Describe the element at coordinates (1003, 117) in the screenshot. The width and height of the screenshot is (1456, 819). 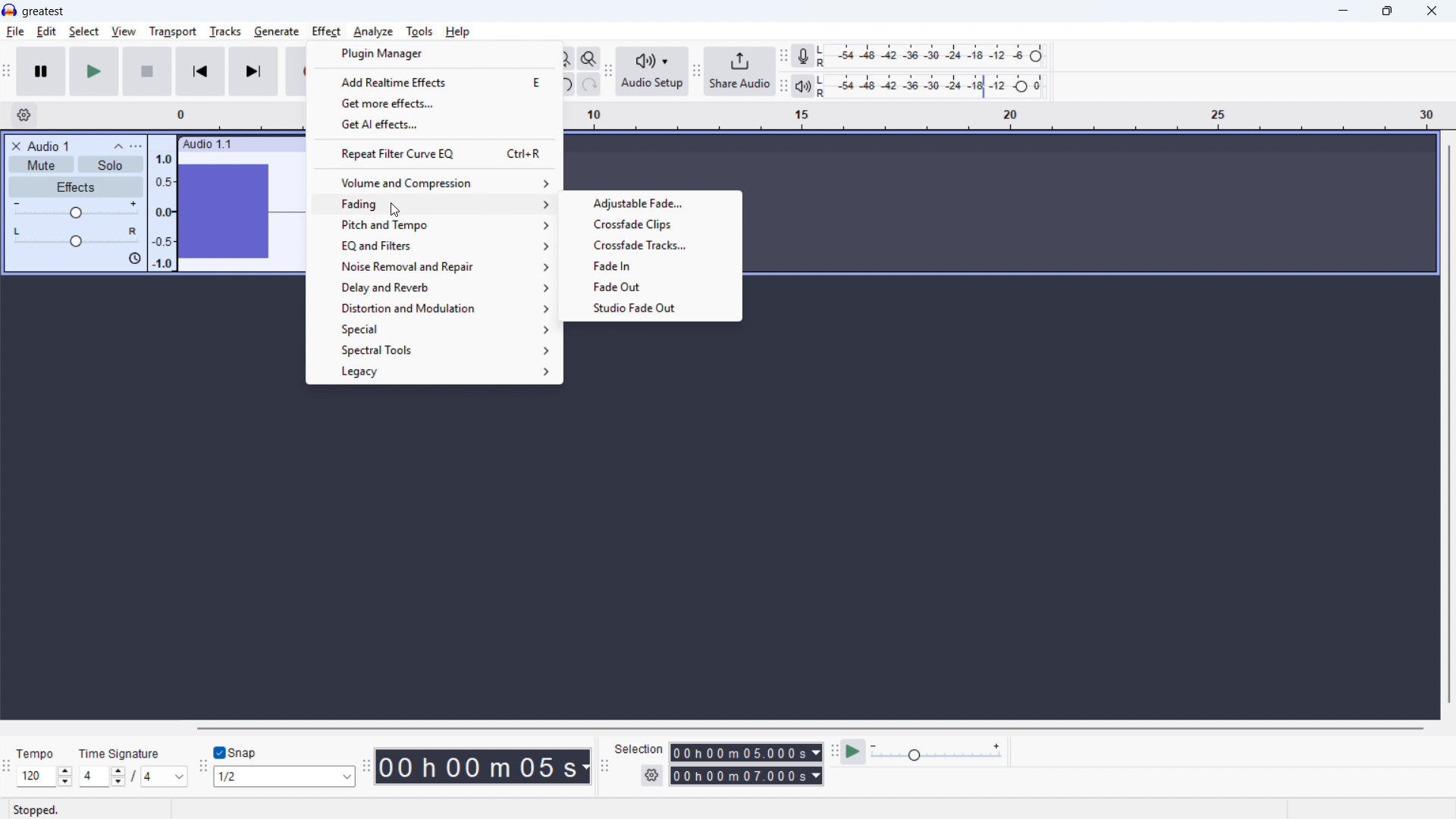
I see `Timeline ` at that location.